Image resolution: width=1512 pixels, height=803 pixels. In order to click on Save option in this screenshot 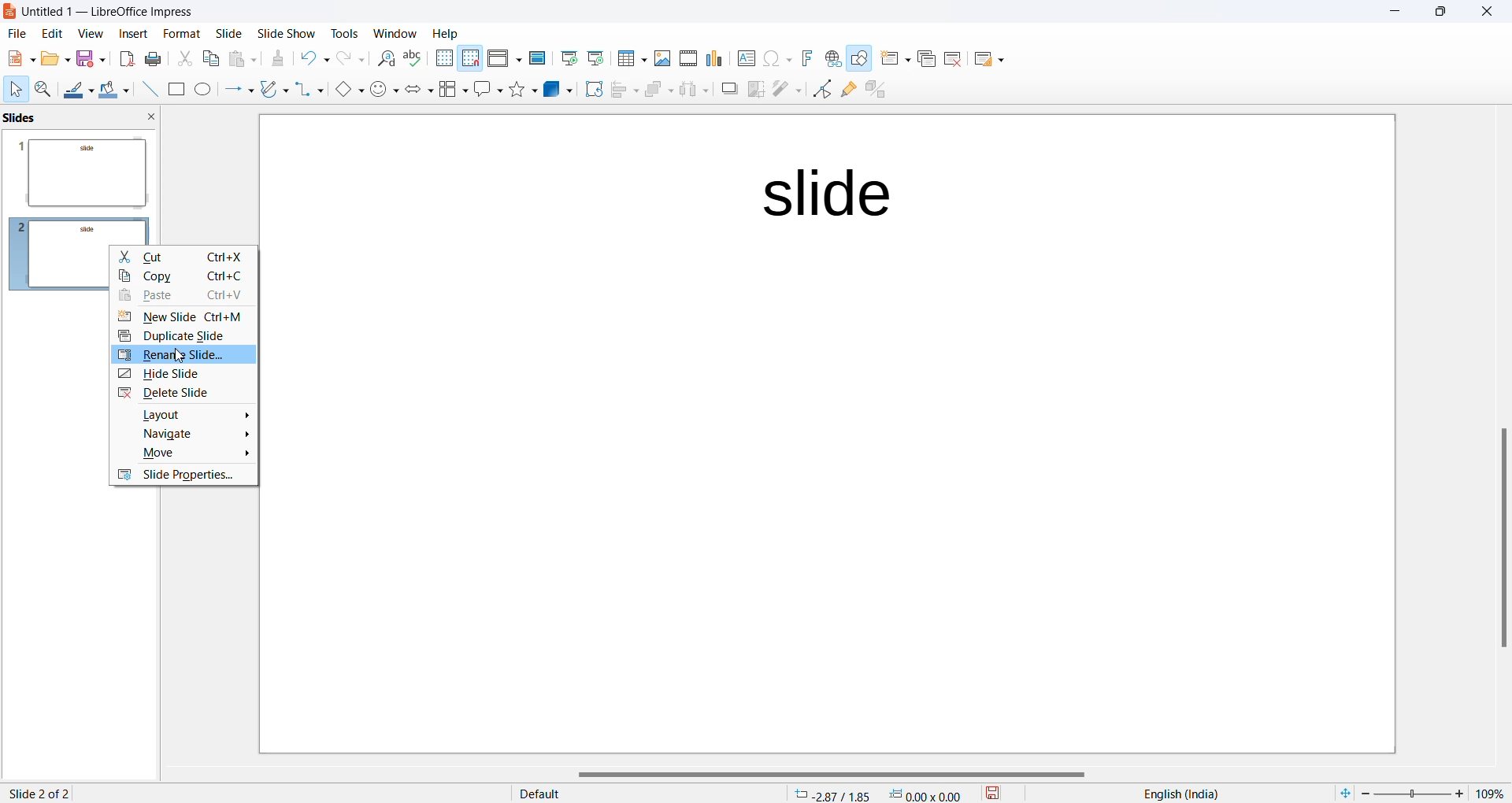, I will do `click(91, 59)`.